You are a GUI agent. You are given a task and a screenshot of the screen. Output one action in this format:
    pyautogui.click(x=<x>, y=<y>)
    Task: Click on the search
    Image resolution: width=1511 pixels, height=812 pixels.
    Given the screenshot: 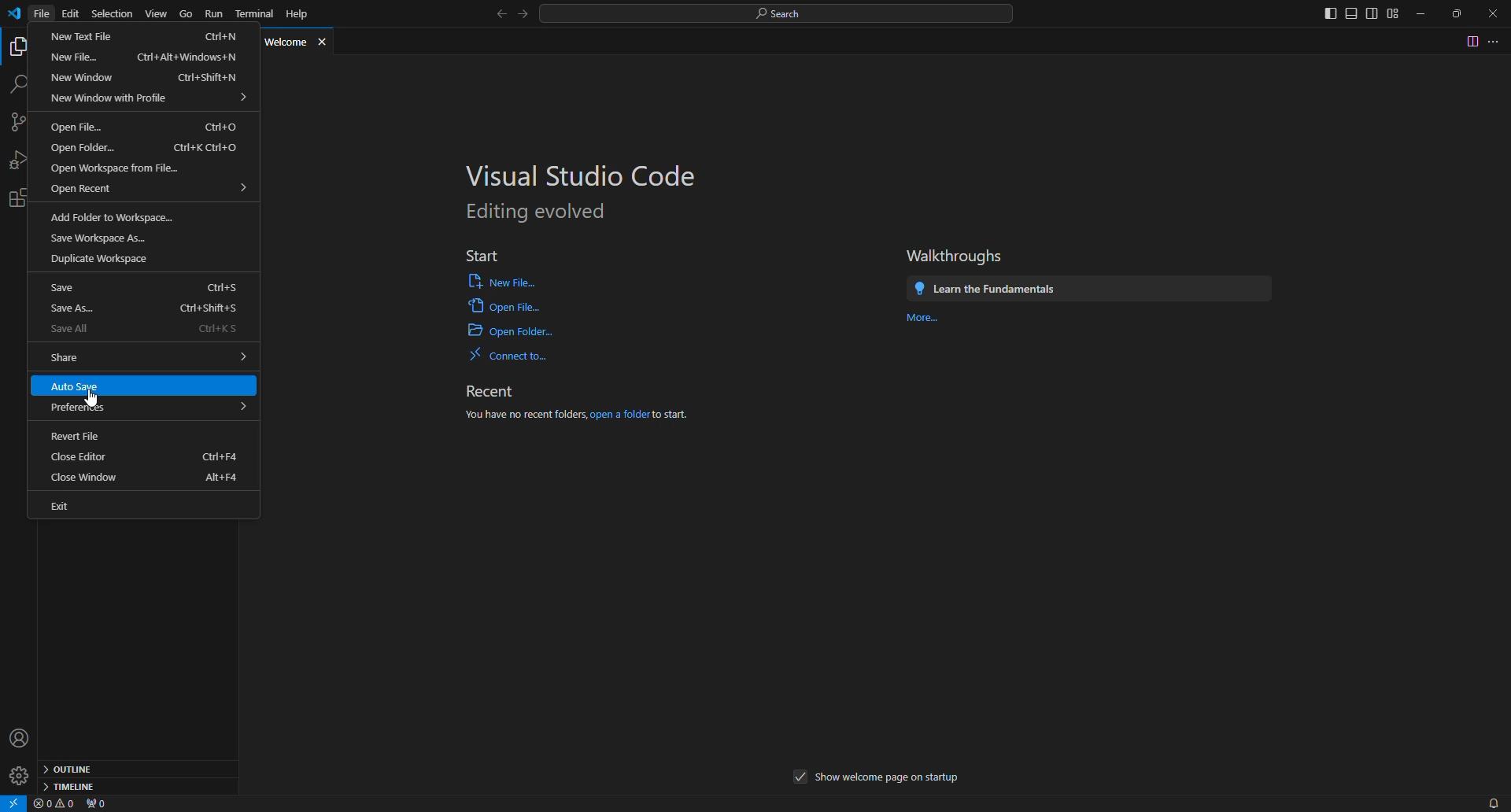 What is the action you would take?
    pyautogui.click(x=20, y=85)
    